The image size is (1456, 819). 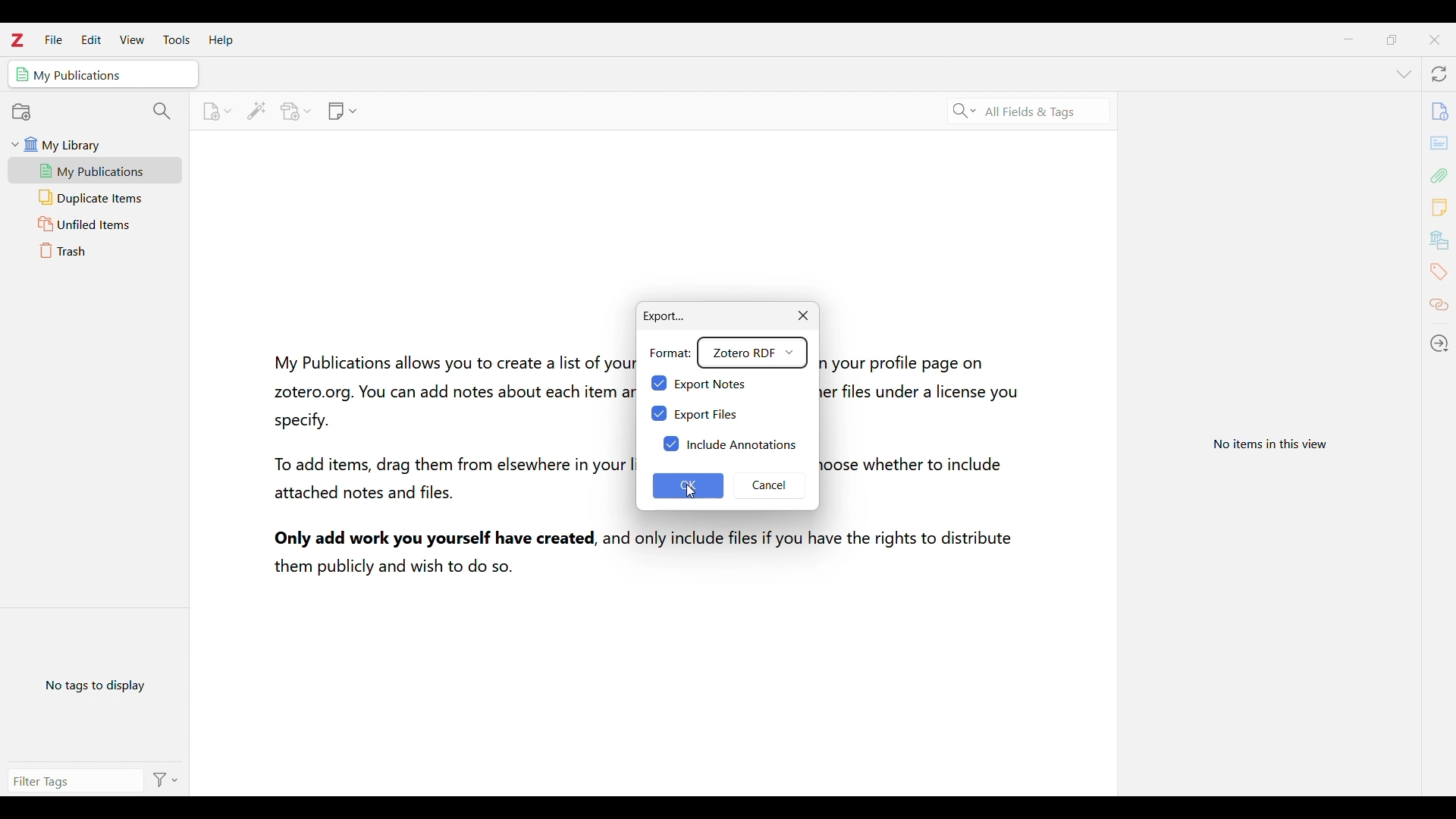 What do you see at coordinates (216, 111) in the screenshot?
I see `Options to add new item` at bounding box center [216, 111].